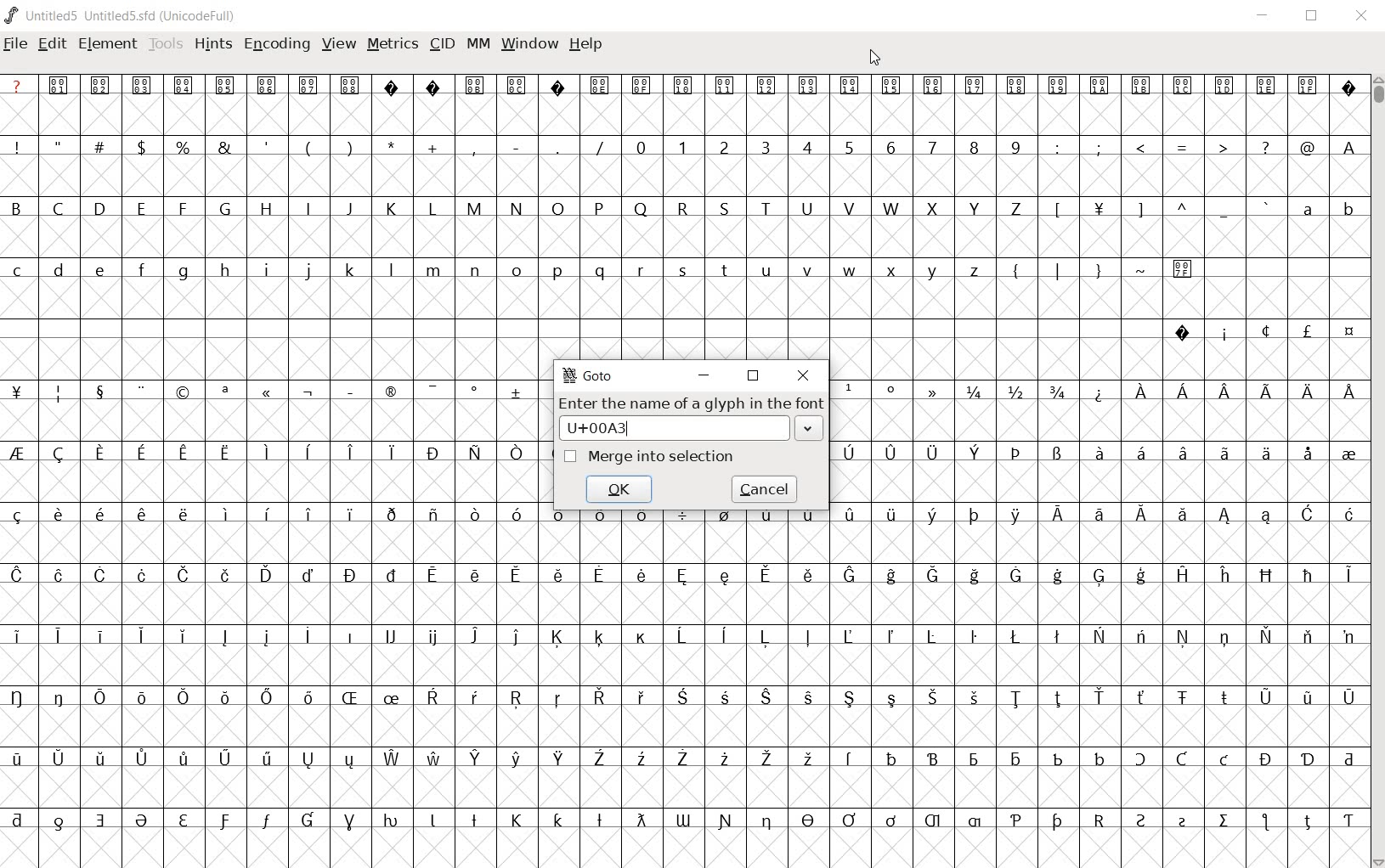  I want to click on Symbol, so click(1099, 578).